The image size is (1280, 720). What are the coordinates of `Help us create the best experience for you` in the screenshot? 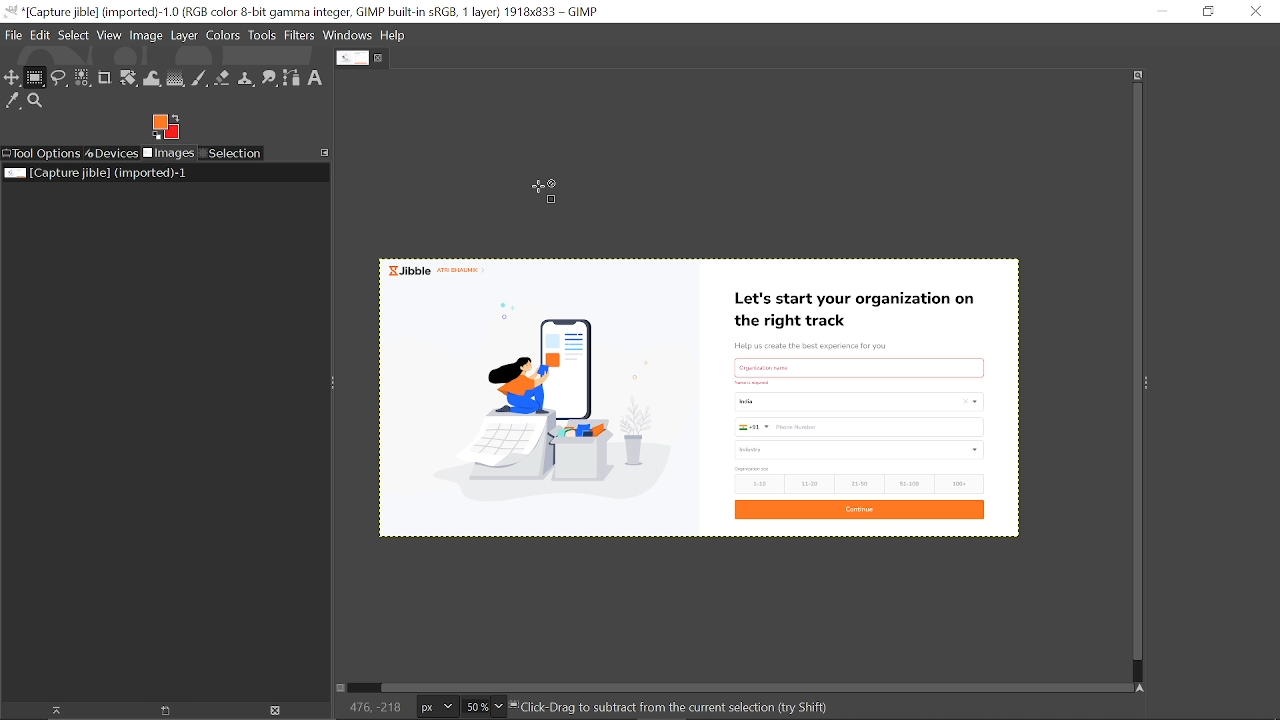 It's located at (825, 344).